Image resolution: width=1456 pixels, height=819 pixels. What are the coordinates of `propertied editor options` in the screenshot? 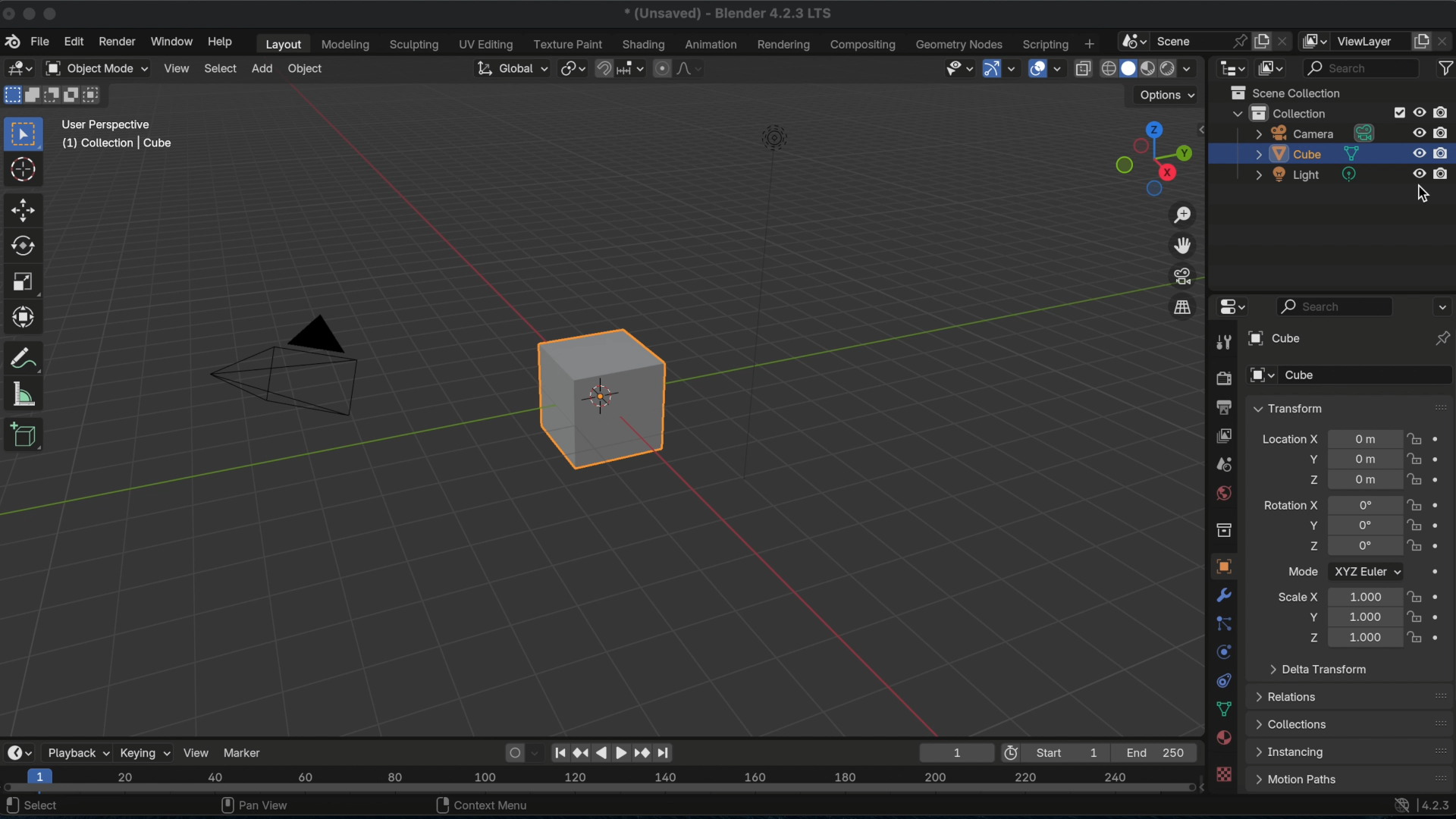 It's located at (1441, 307).